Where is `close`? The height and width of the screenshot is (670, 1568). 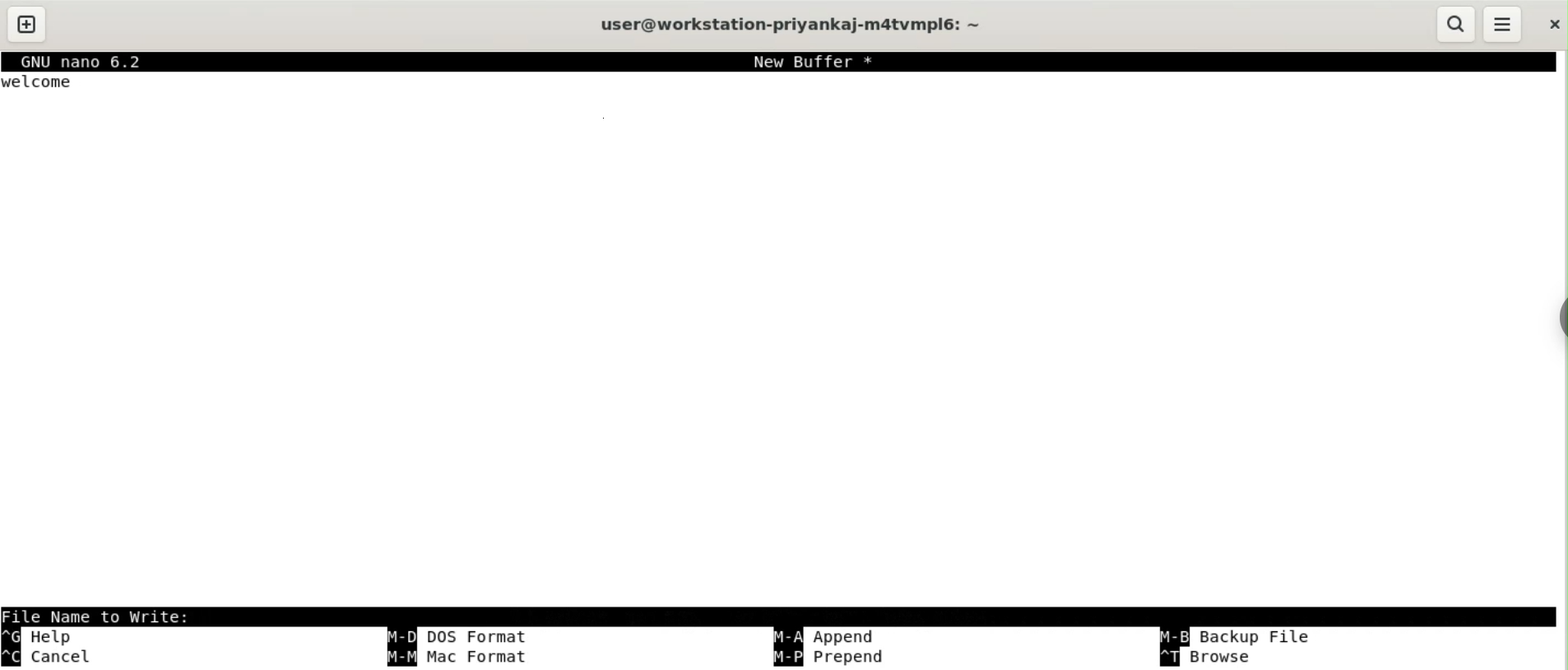 close is located at coordinates (1549, 25).